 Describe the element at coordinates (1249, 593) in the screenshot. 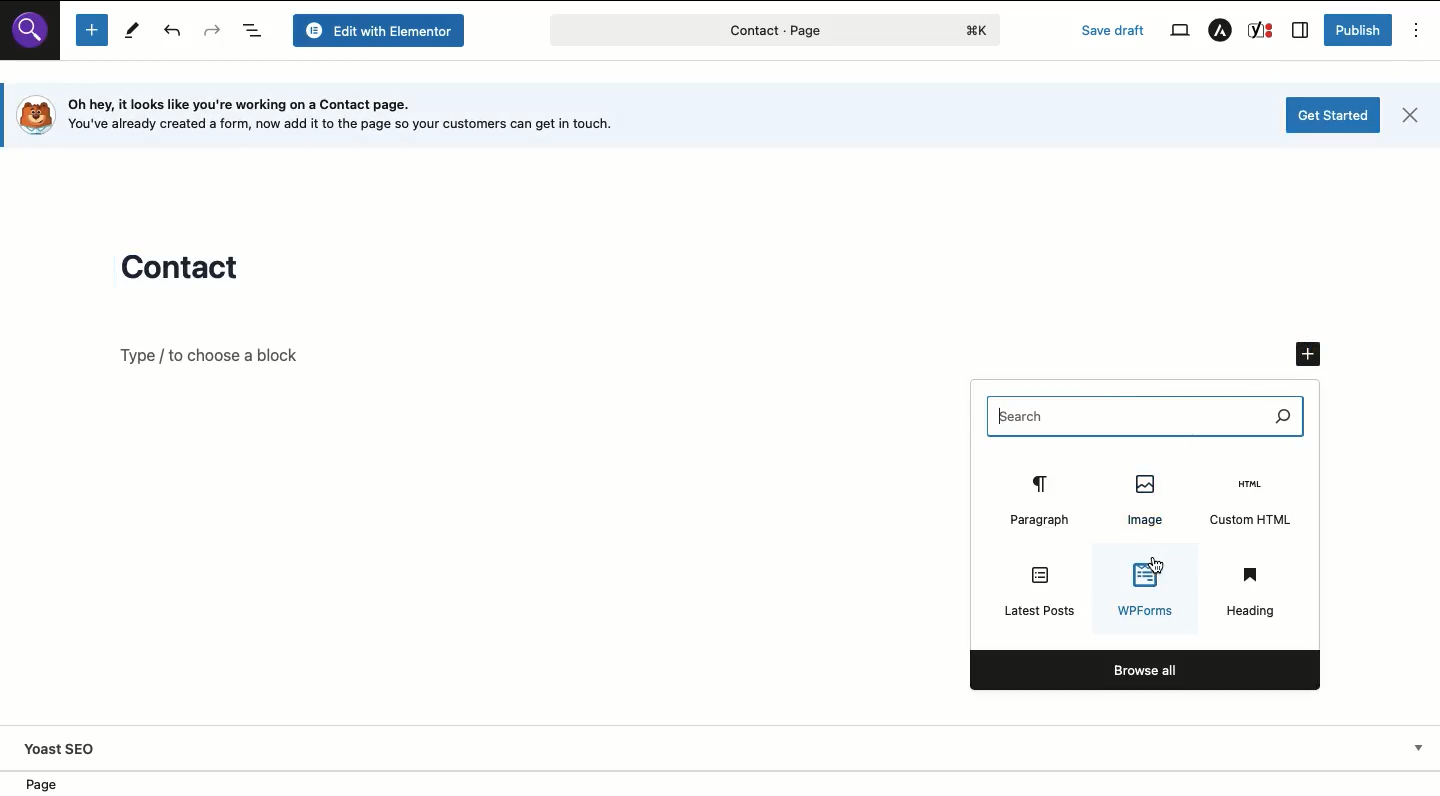

I see `Heading` at that location.